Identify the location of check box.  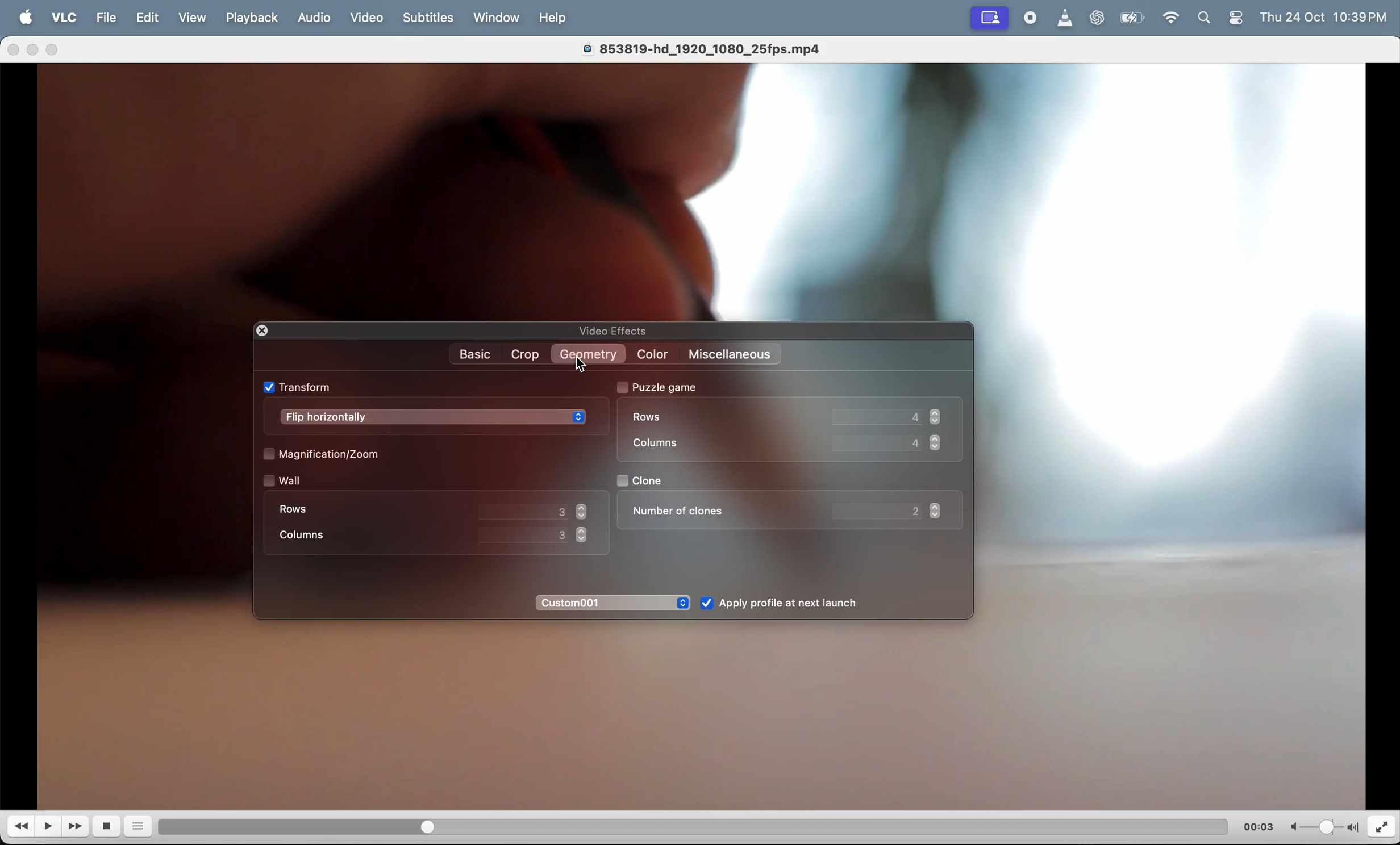
(623, 386).